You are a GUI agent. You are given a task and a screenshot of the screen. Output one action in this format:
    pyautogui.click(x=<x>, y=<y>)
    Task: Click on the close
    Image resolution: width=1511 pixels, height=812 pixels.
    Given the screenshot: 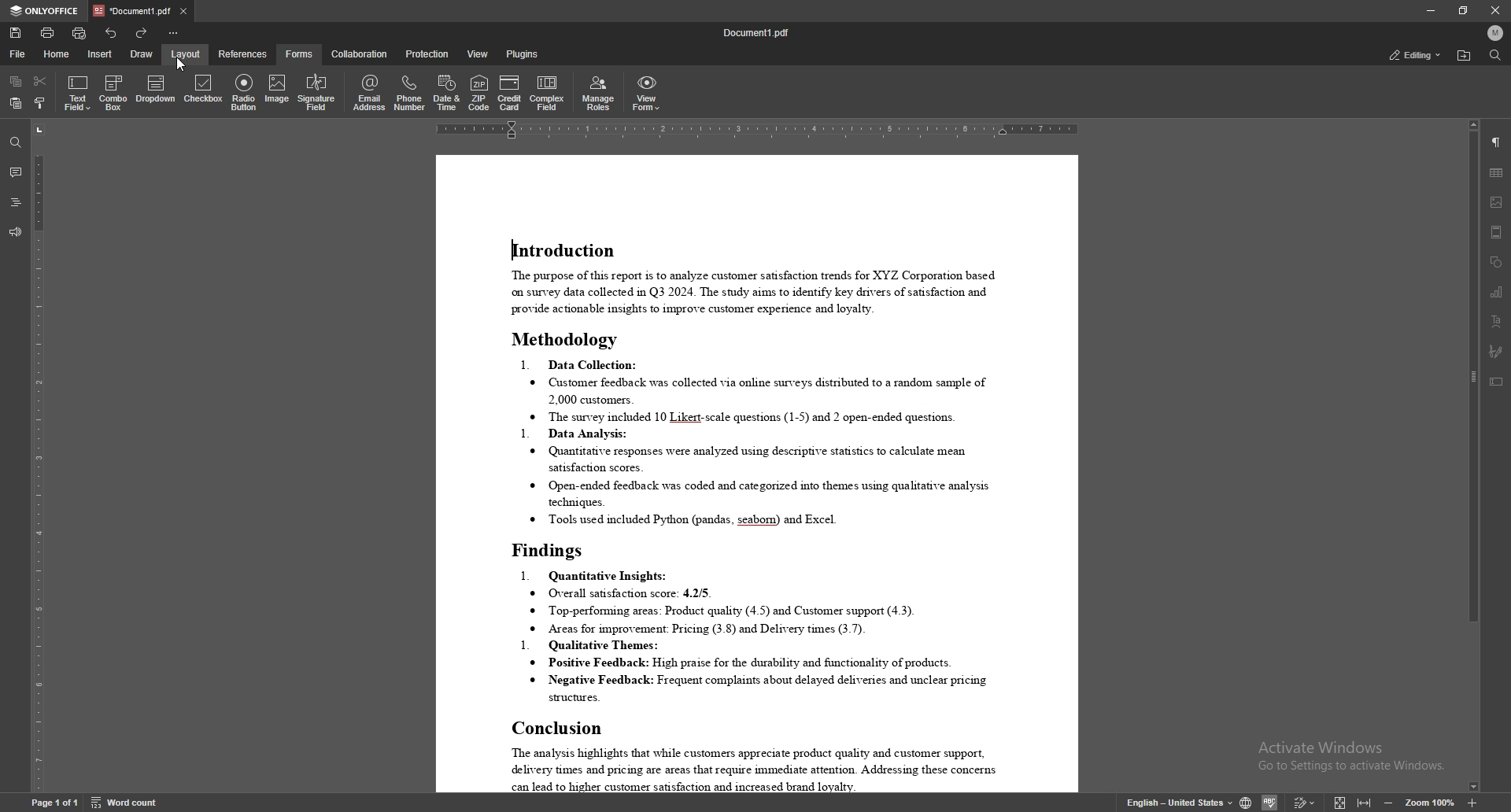 What is the action you would take?
    pyautogui.click(x=1495, y=10)
    